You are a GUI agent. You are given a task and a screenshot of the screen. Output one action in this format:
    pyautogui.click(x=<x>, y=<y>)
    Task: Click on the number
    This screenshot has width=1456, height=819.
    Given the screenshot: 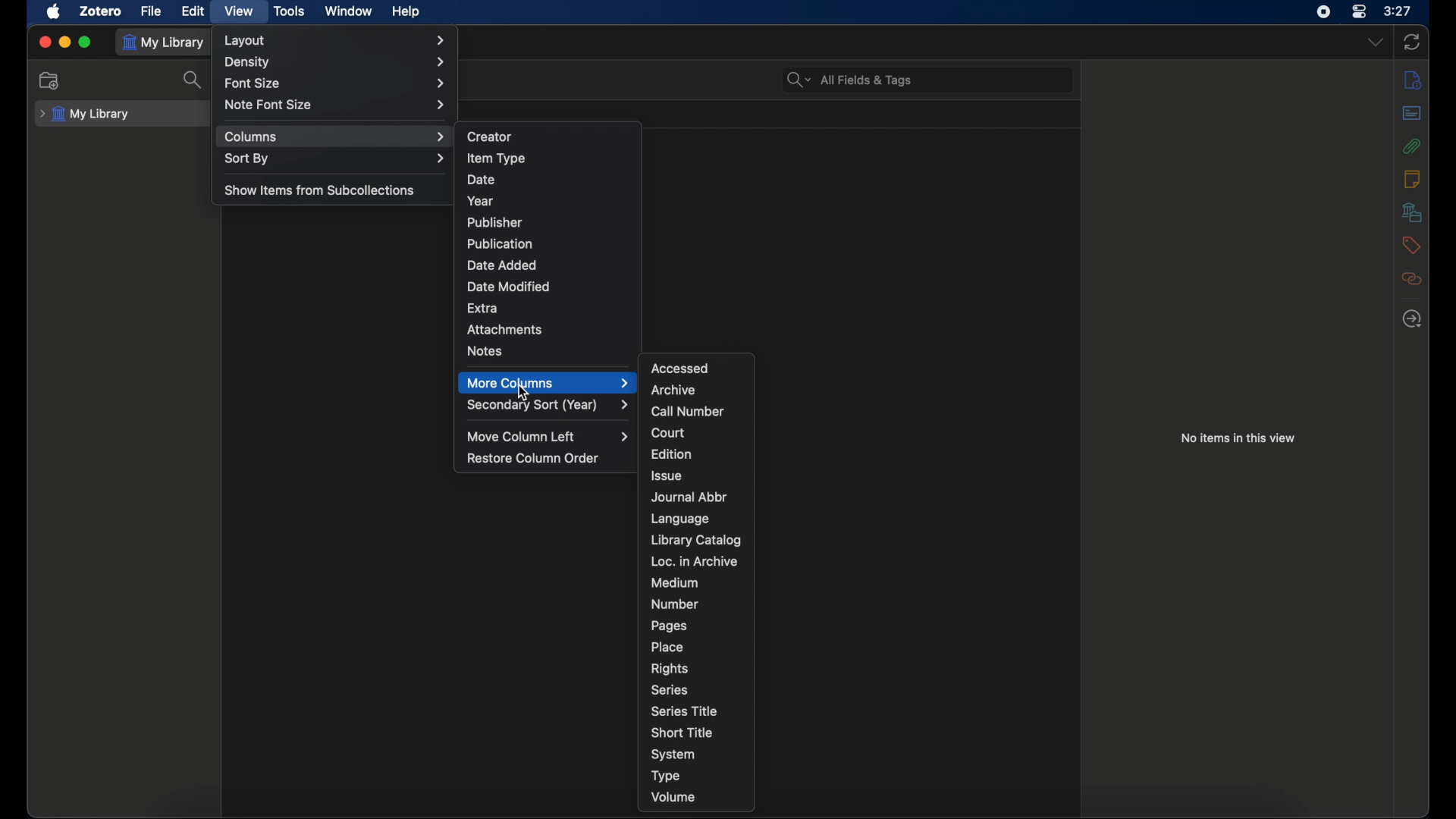 What is the action you would take?
    pyautogui.click(x=675, y=604)
    